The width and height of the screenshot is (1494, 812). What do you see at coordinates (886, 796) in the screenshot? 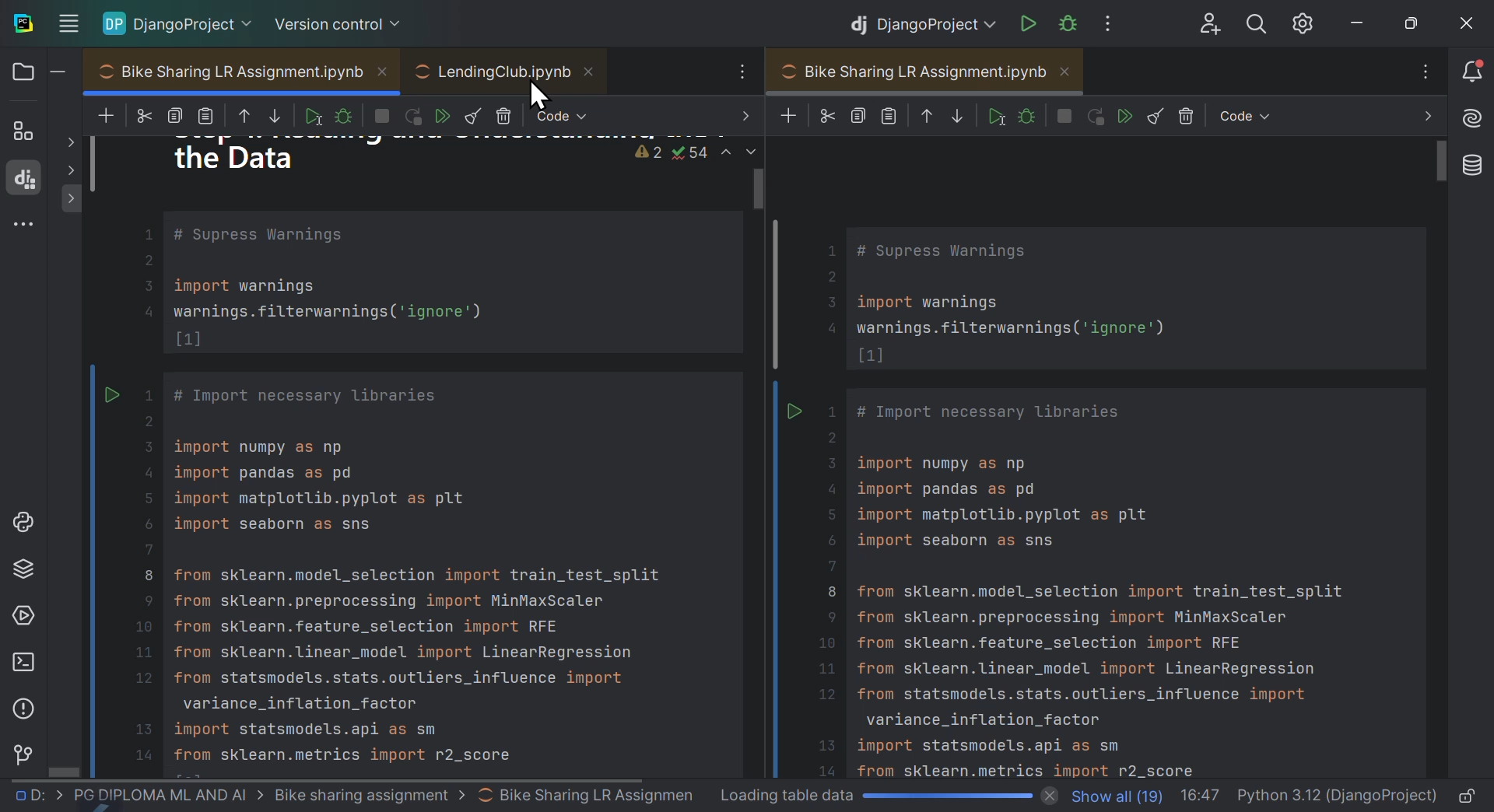
I see `loading table data` at bounding box center [886, 796].